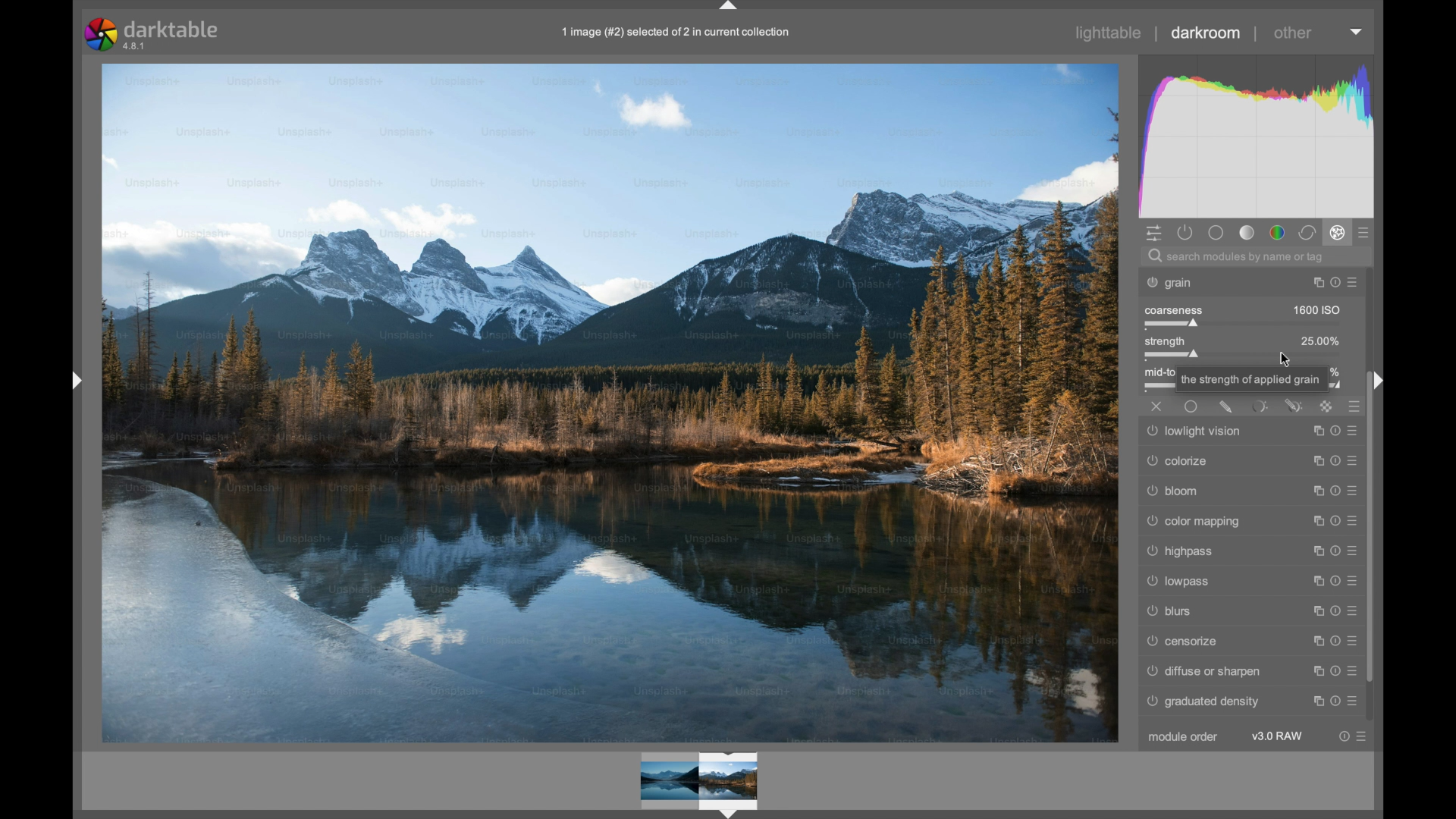  What do you see at coordinates (1205, 702) in the screenshot?
I see `graduated density` at bounding box center [1205, 702].